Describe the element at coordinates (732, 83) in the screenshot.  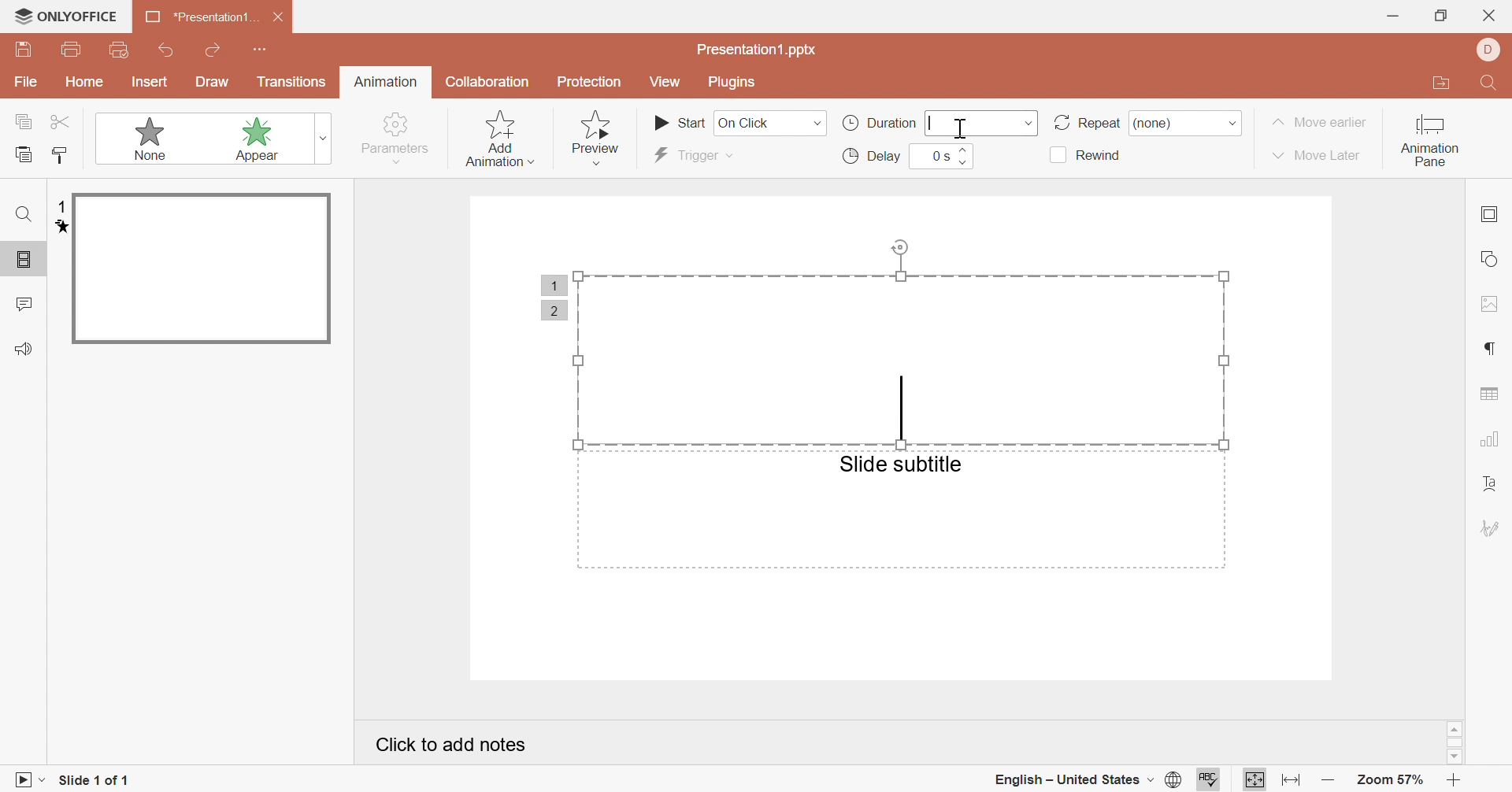
I see `plugins` at that location.